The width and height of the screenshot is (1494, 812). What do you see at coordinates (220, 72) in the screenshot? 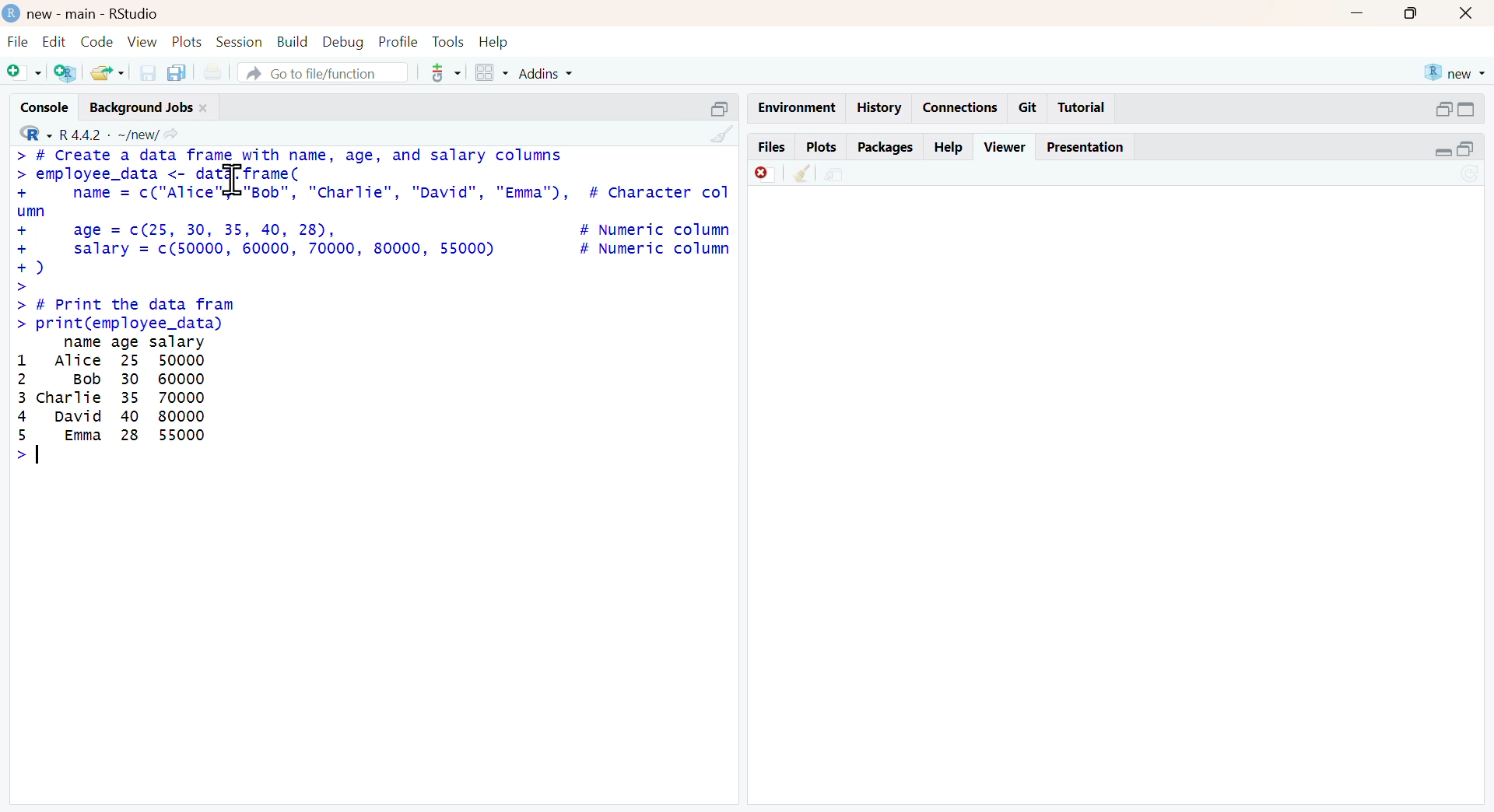
I see `print current document` at bounding box center [220, 72].